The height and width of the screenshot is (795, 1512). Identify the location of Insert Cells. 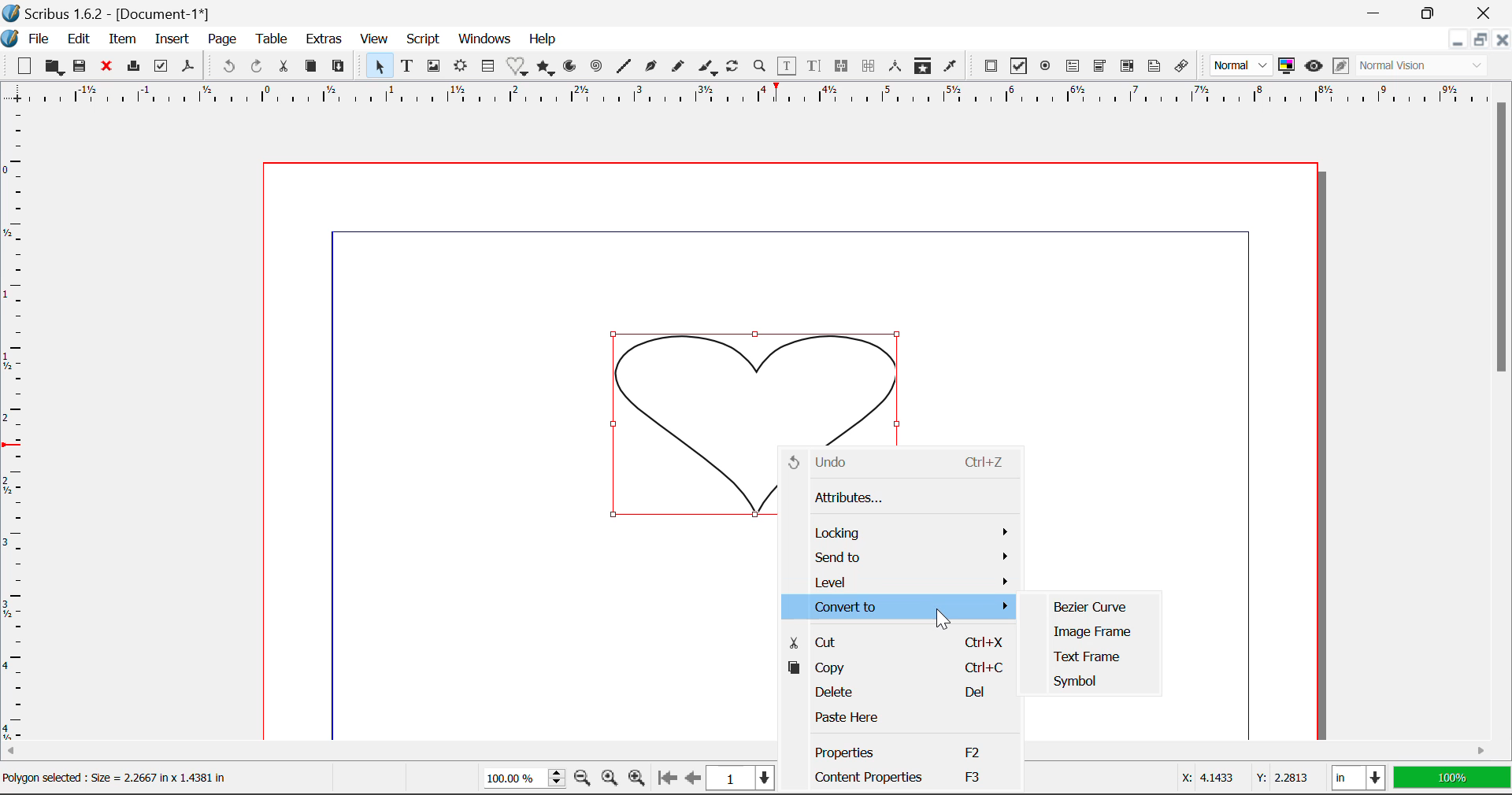
(487, 68).